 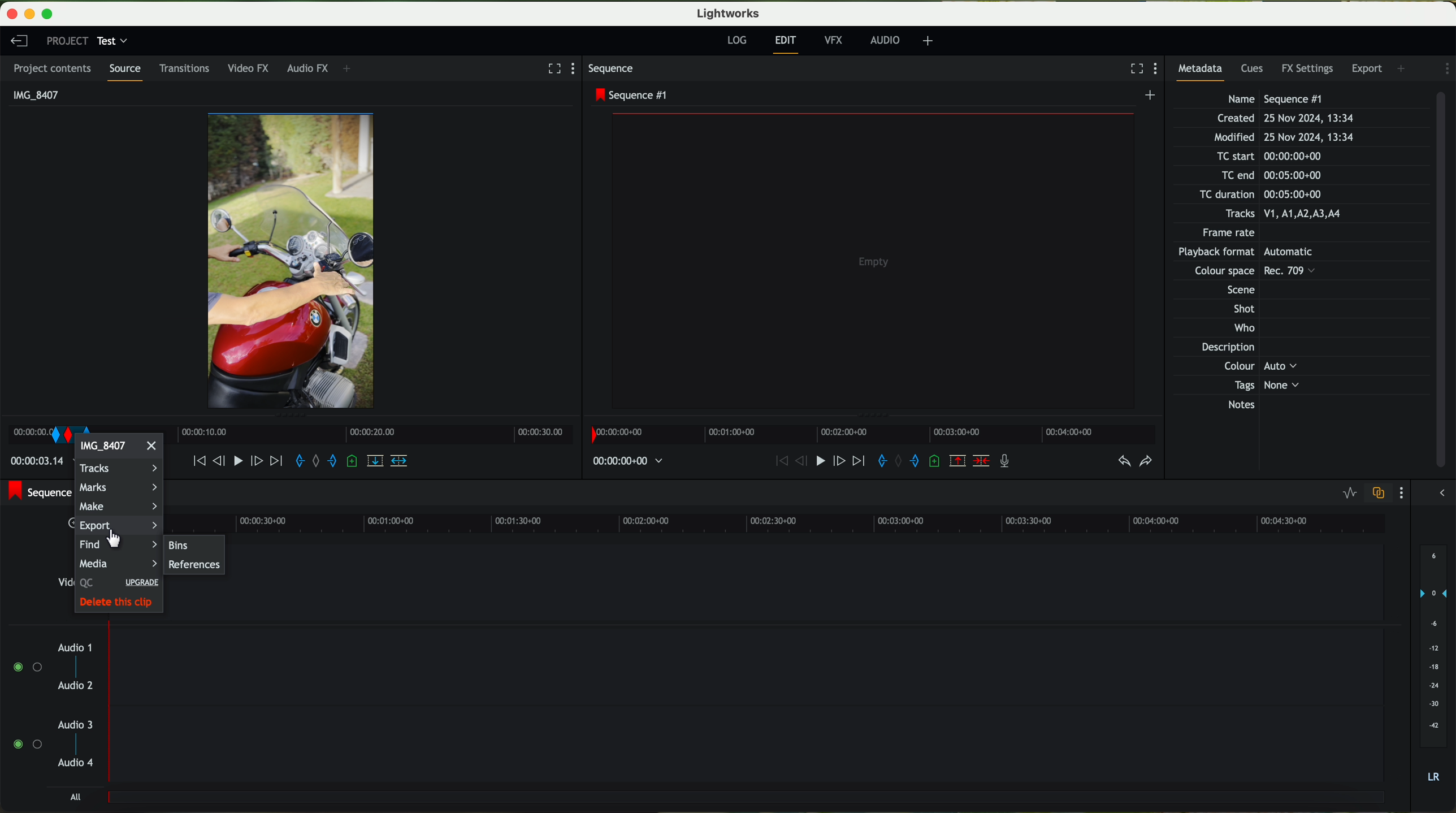 What do you see at coordinates (738, 41) in the screenshot?
I see `log` at bounding box center [738, 41].